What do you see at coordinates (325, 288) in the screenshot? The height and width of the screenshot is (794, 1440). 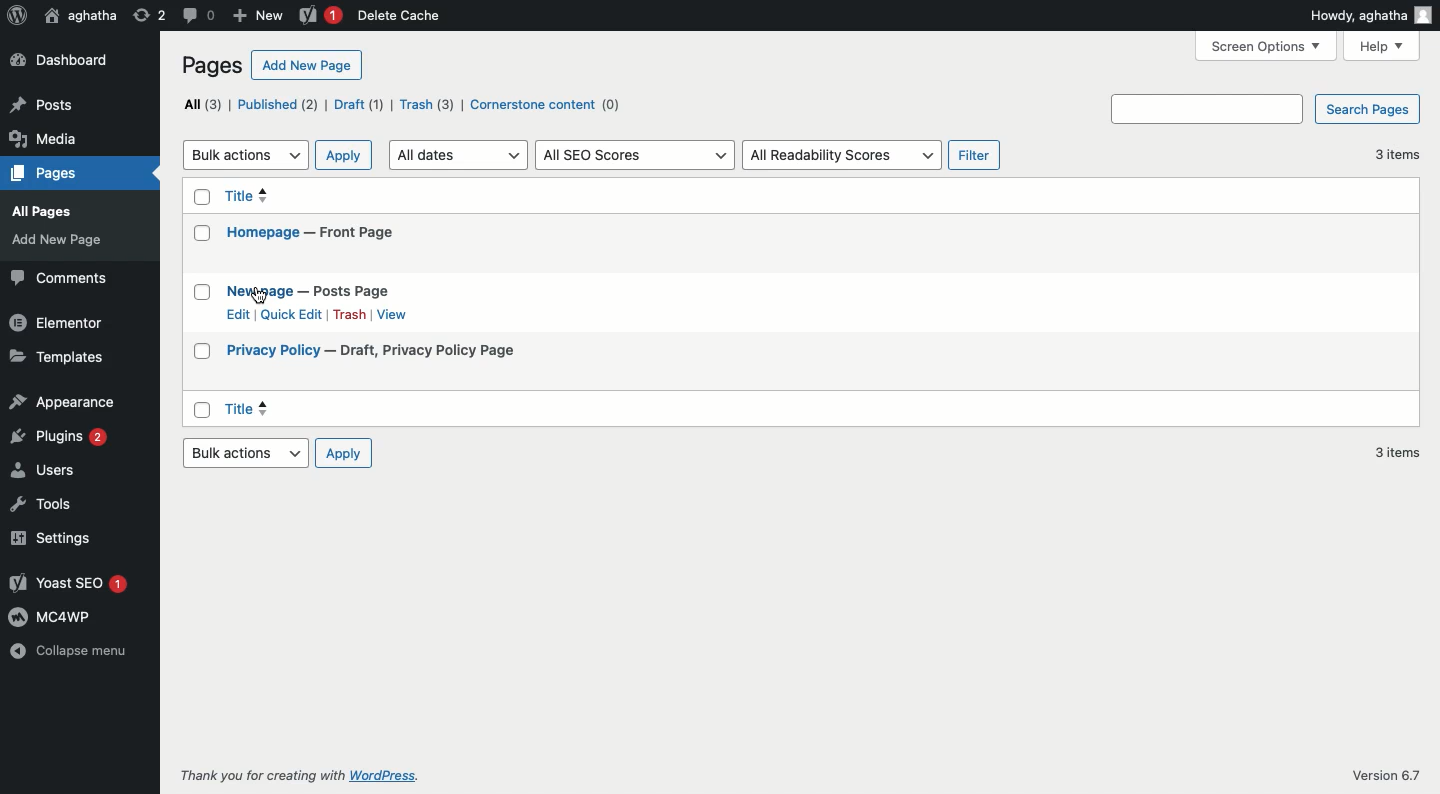 I see `new page- posts pages` at bounding box center [325, 288].